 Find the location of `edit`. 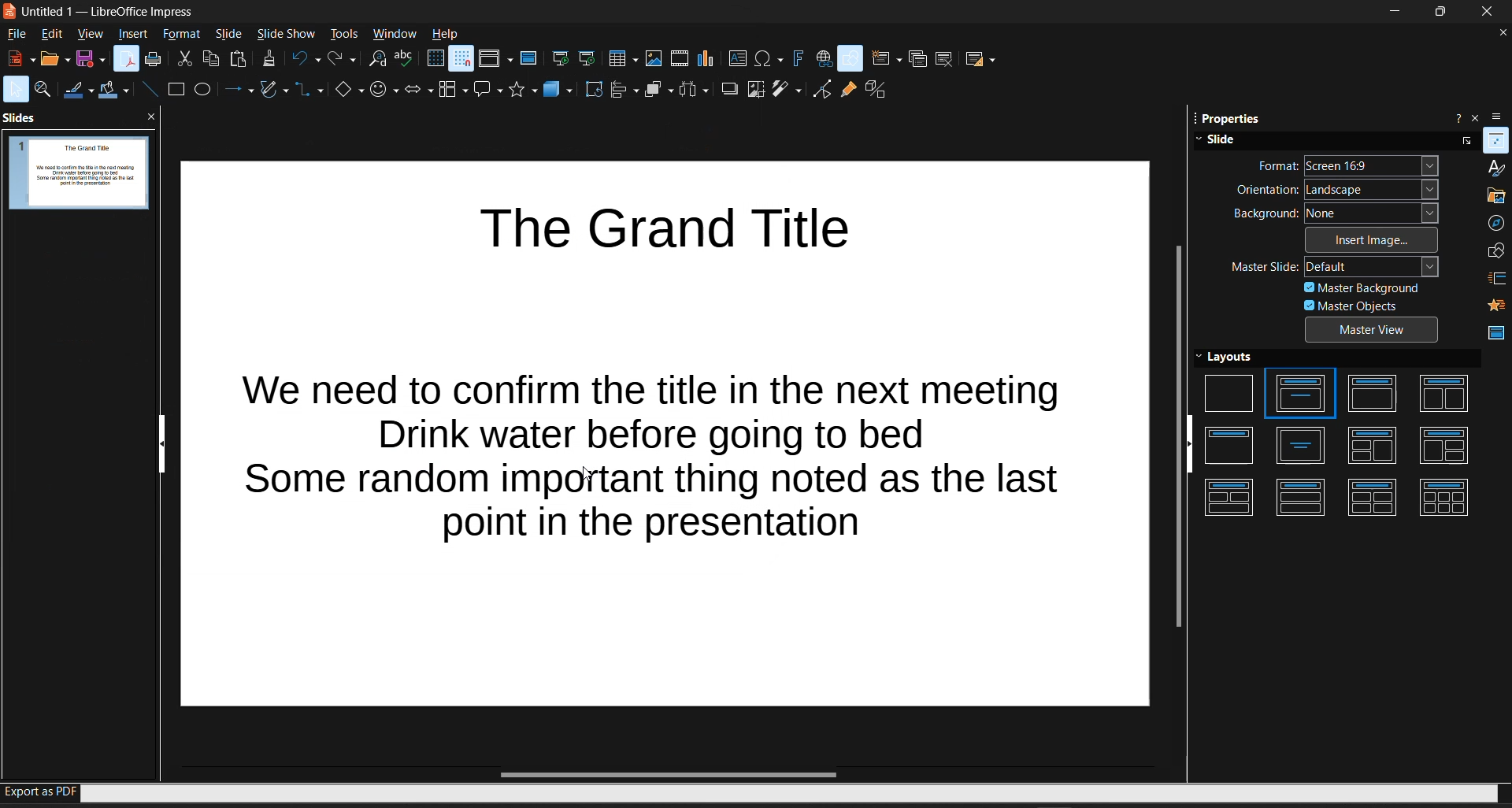

edit is located at coordinates (53, 35).